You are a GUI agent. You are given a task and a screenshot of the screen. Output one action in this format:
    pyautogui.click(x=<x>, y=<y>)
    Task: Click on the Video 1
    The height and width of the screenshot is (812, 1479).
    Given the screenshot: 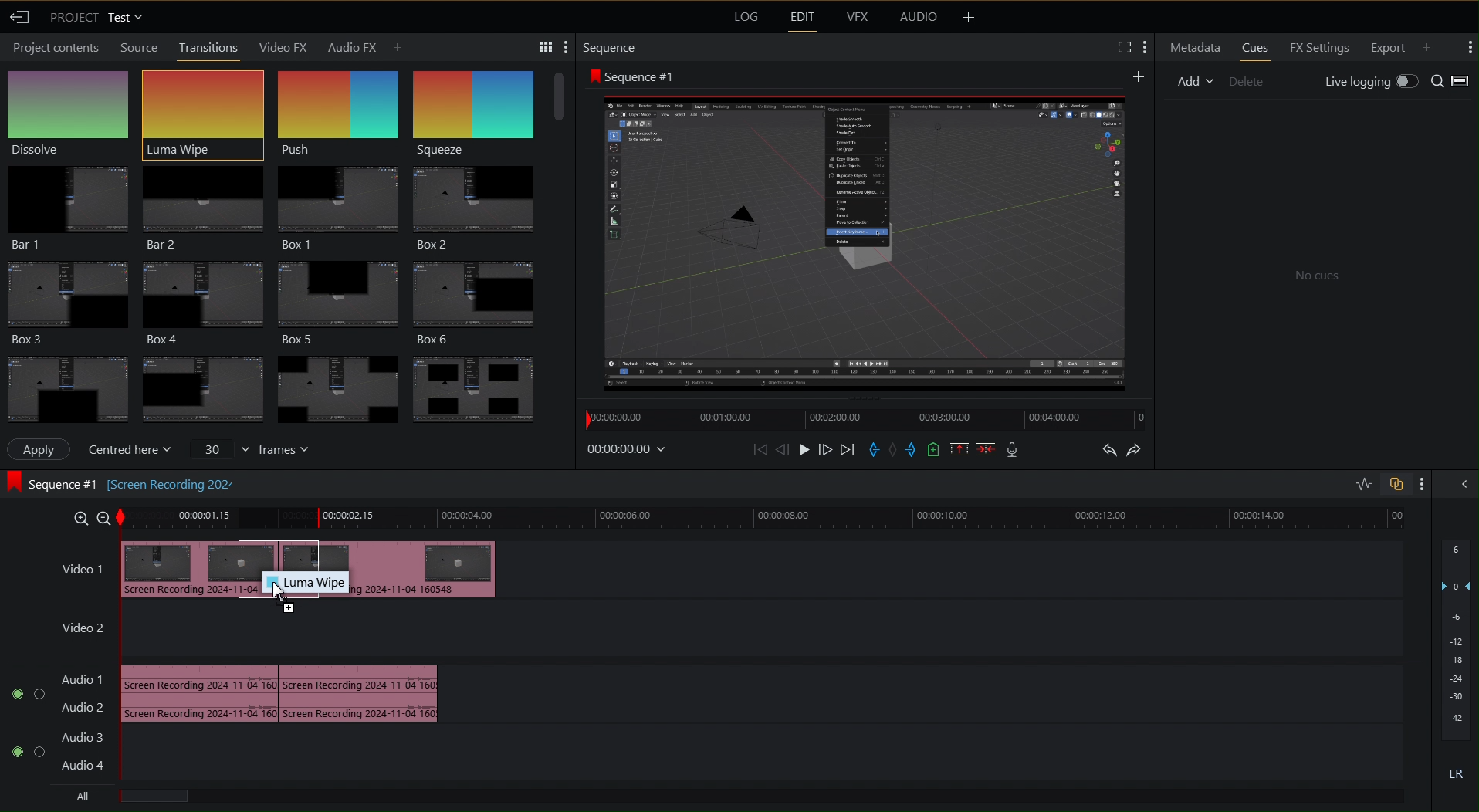 What is the action you would take?
    pyautogui.click(x=340, y=552)
    